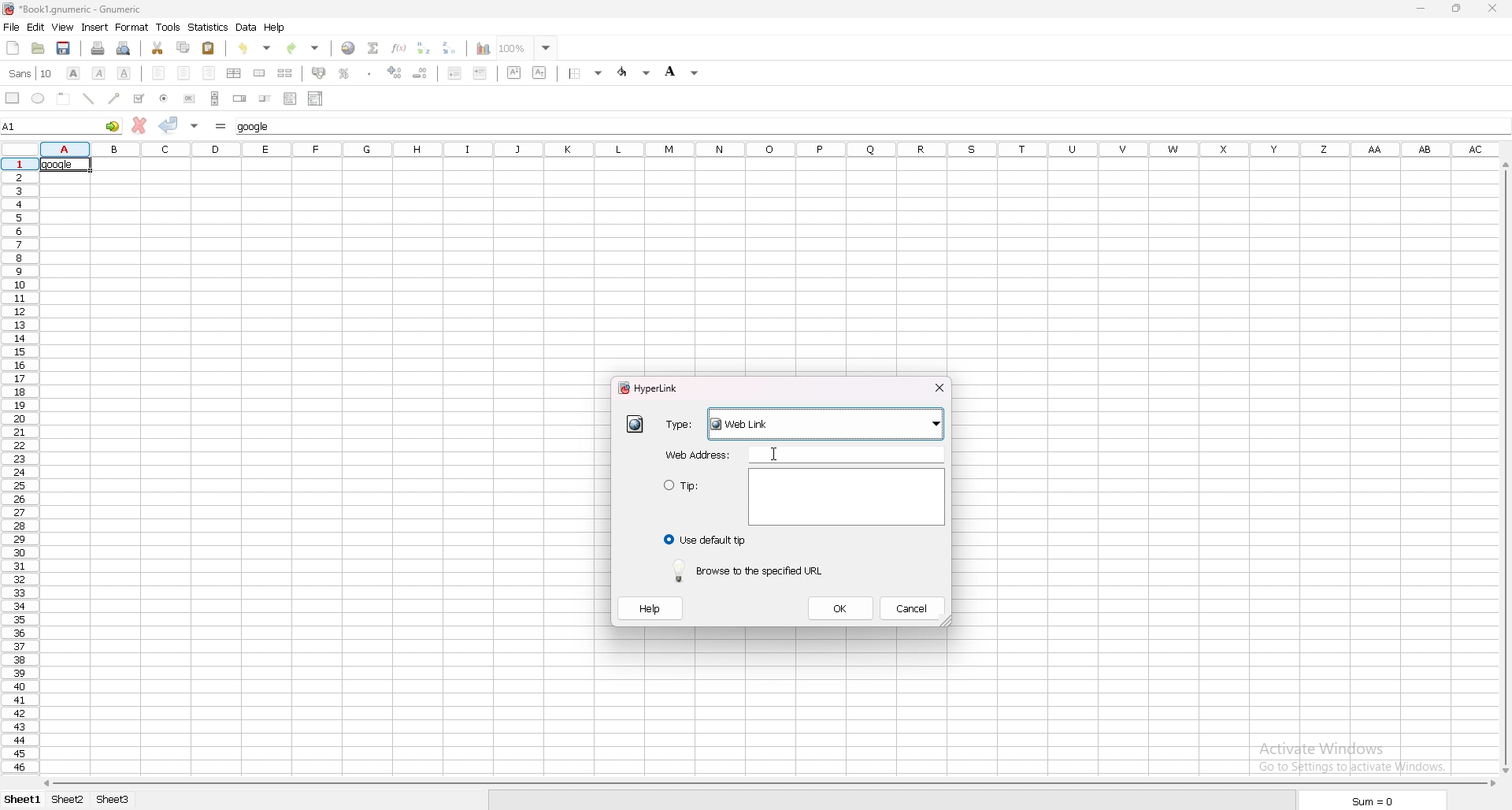  I want to click on increase decimals, so click(395, 72).